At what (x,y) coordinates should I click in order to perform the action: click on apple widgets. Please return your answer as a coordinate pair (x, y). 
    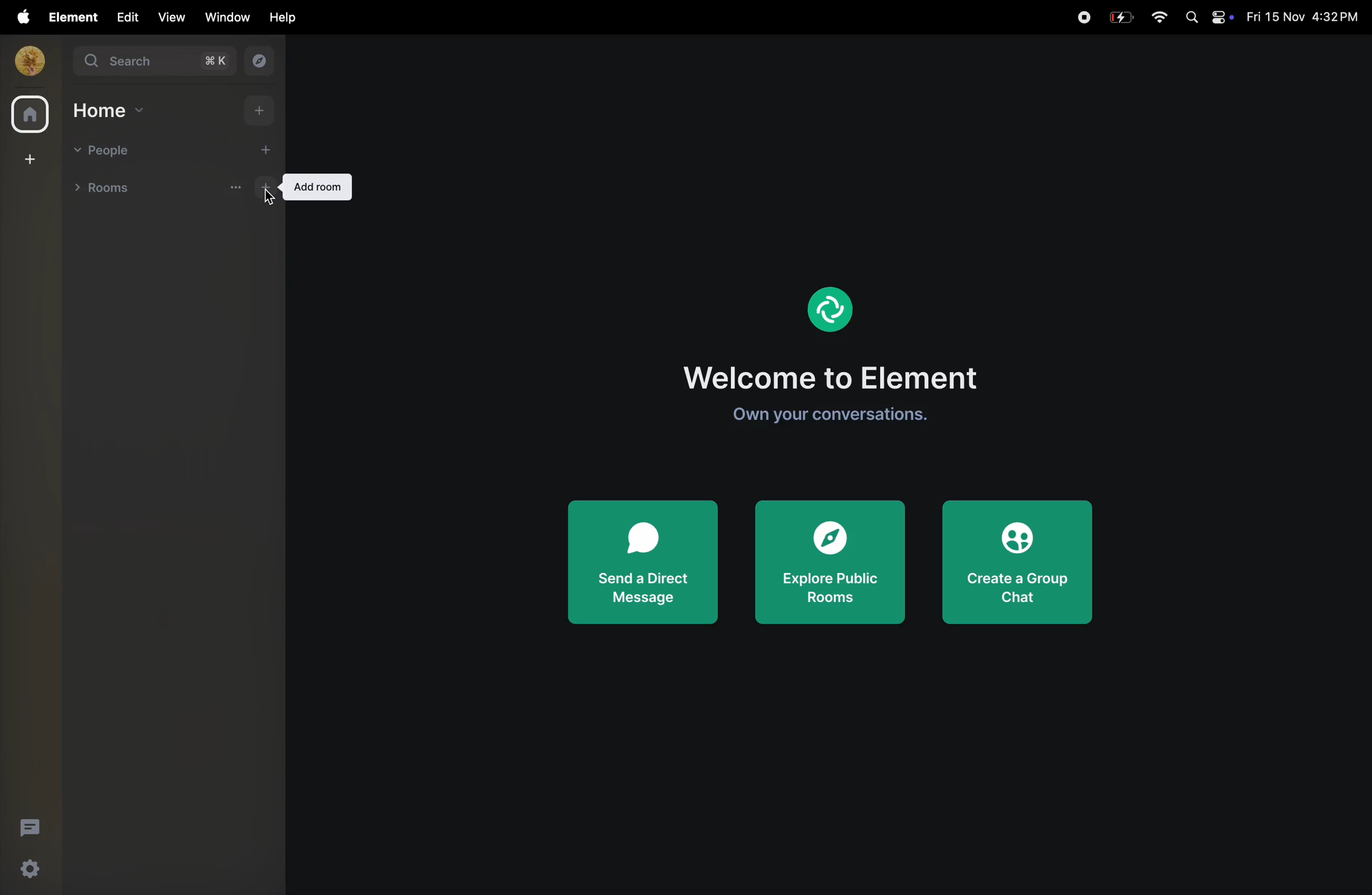
    Looking at the image, I should click on (1206, 18).